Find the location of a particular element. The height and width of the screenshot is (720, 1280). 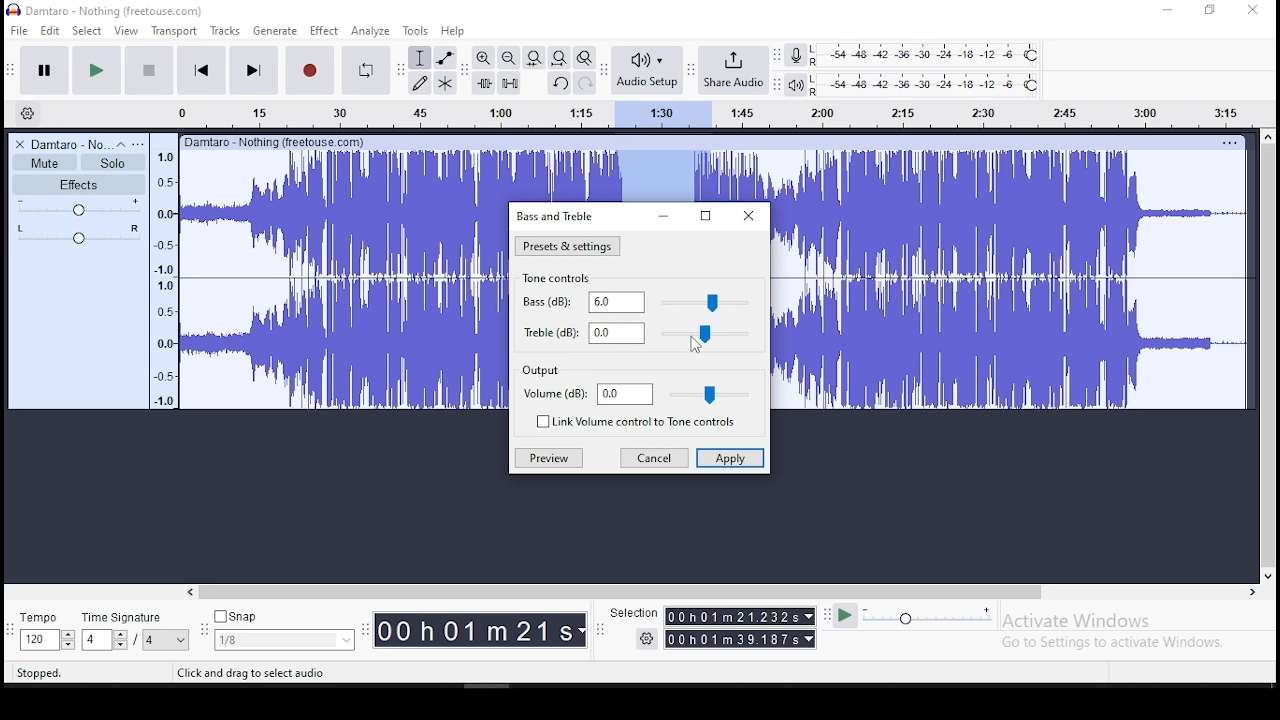

Snap is located at coordinates (284, 617).